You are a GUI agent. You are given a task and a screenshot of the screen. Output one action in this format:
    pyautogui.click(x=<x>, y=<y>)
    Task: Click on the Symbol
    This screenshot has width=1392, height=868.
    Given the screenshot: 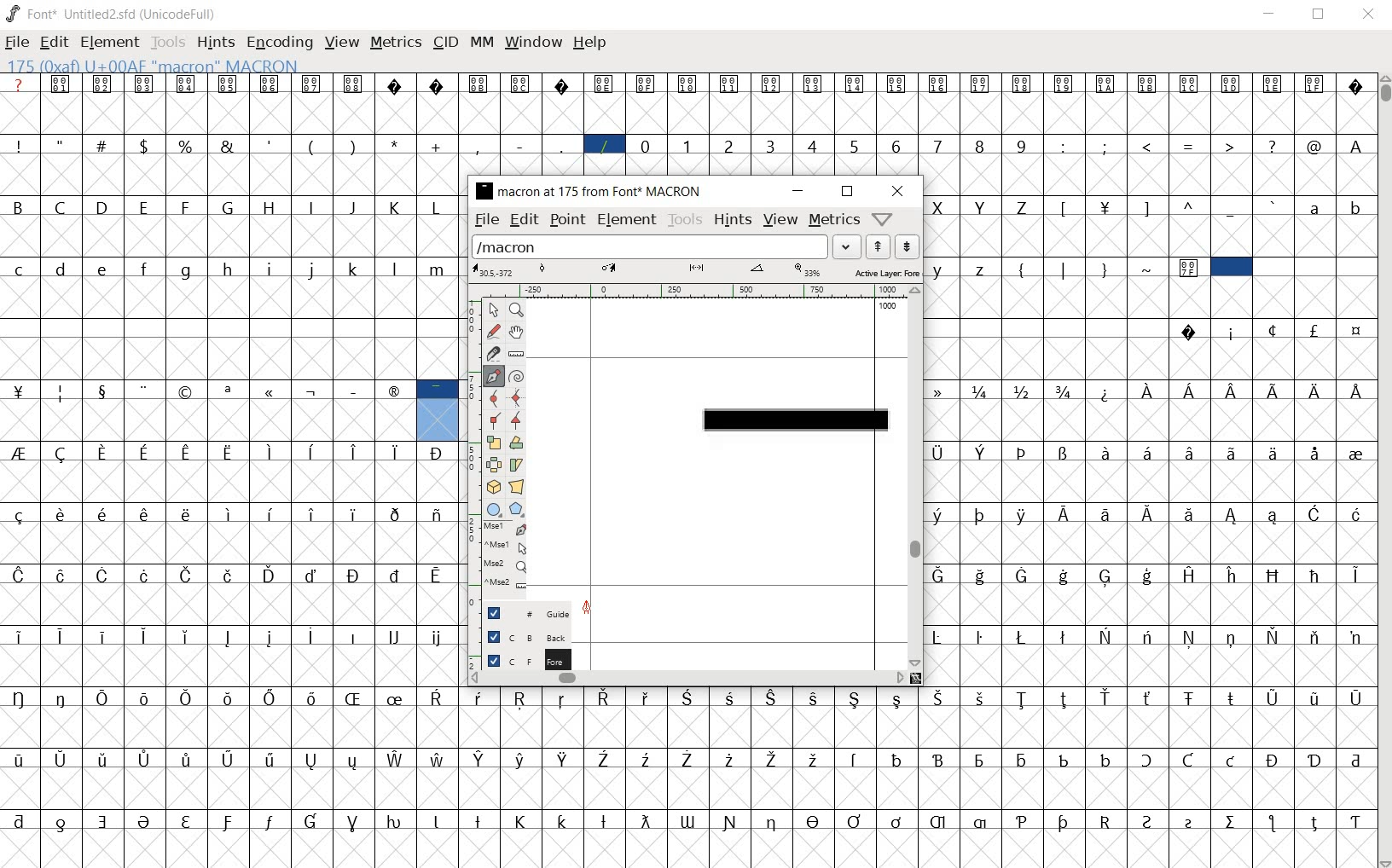 What is the action you would take?
    pyautogui.click(x=229, y=820)
    